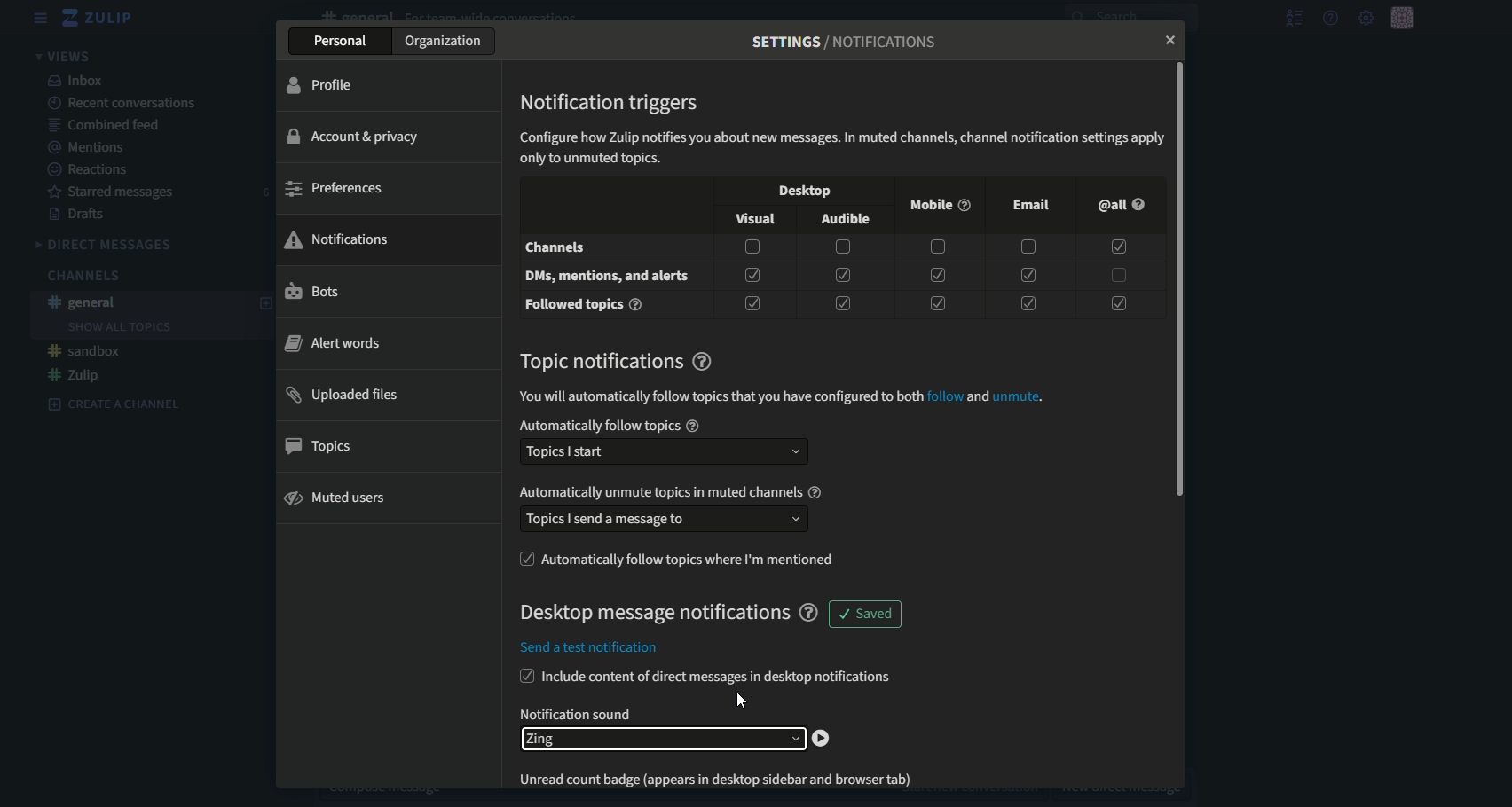 This screenshot has width=1512, height=807. Describe the element at coordinates (557, 247) in the screenshot. I see `channels` at that location.